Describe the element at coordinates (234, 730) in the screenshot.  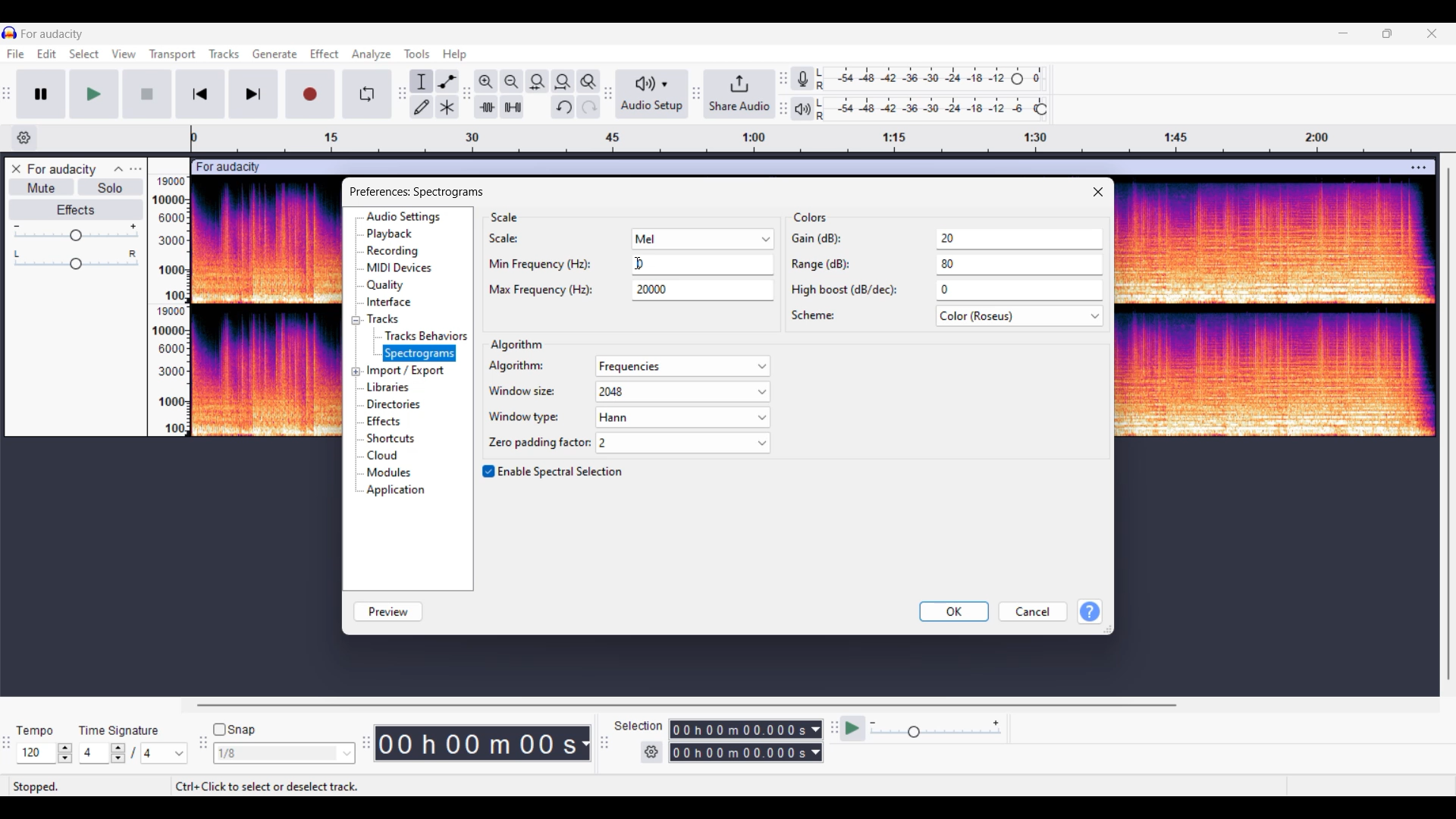
I see `Snap toggle` at that location.